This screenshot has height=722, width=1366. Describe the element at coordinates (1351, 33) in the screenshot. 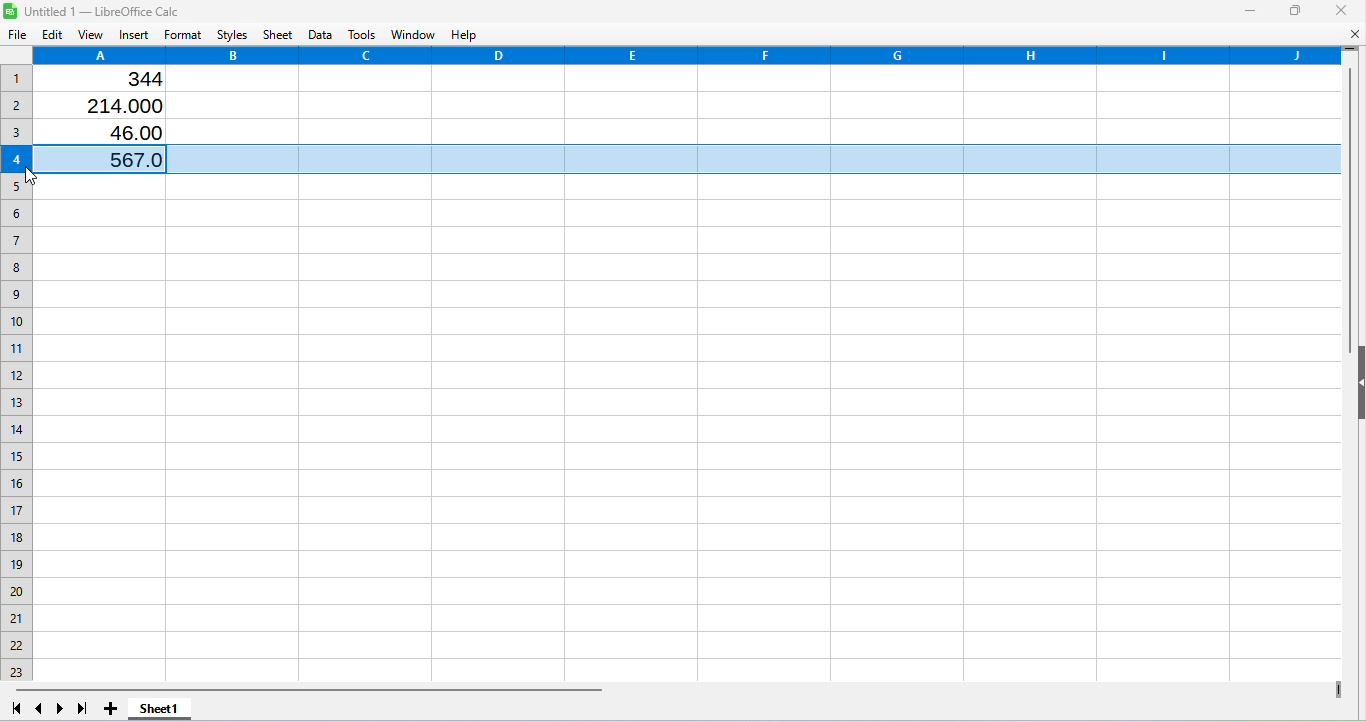

I see `Close document` at that location.